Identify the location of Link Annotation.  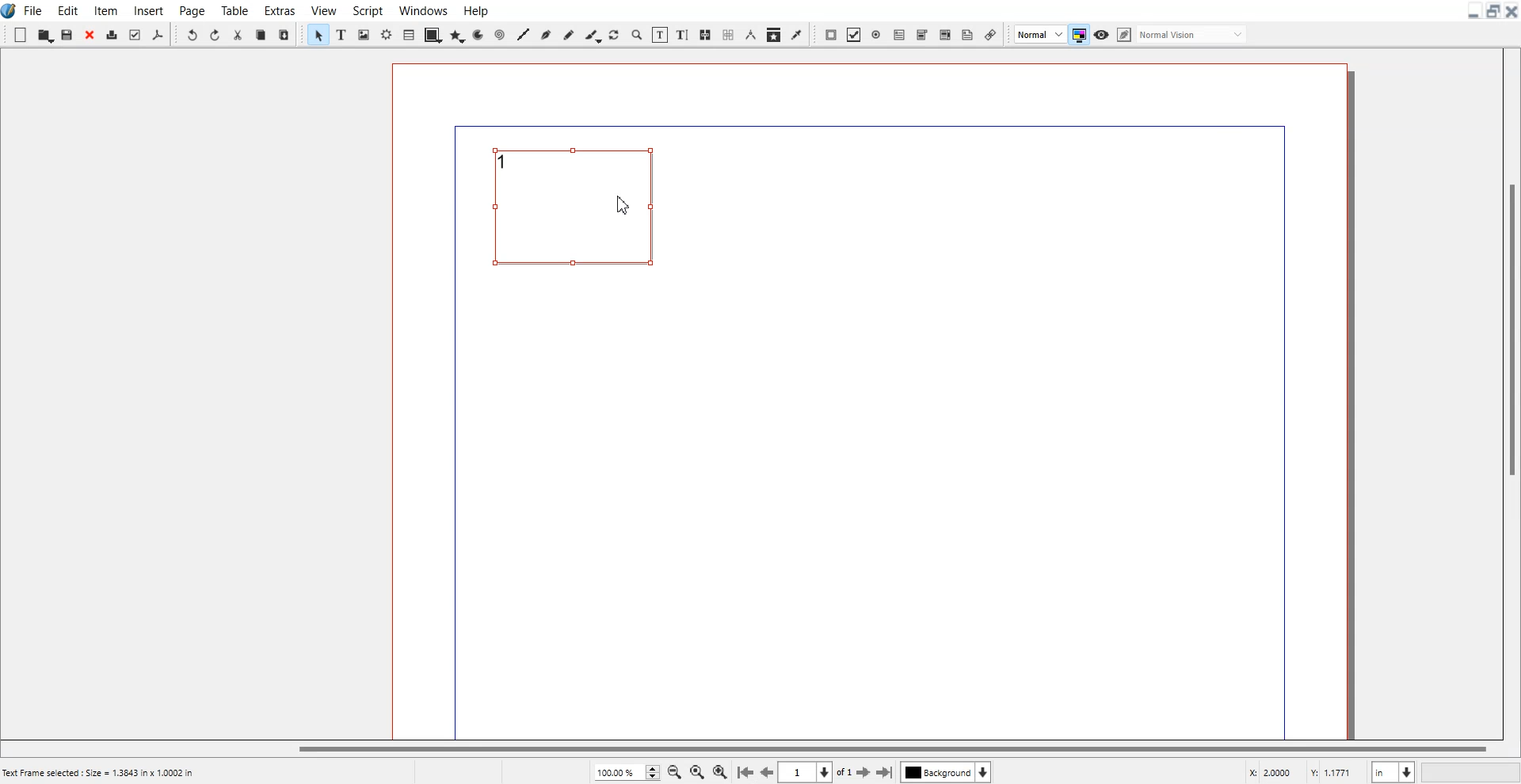
(990, 33).